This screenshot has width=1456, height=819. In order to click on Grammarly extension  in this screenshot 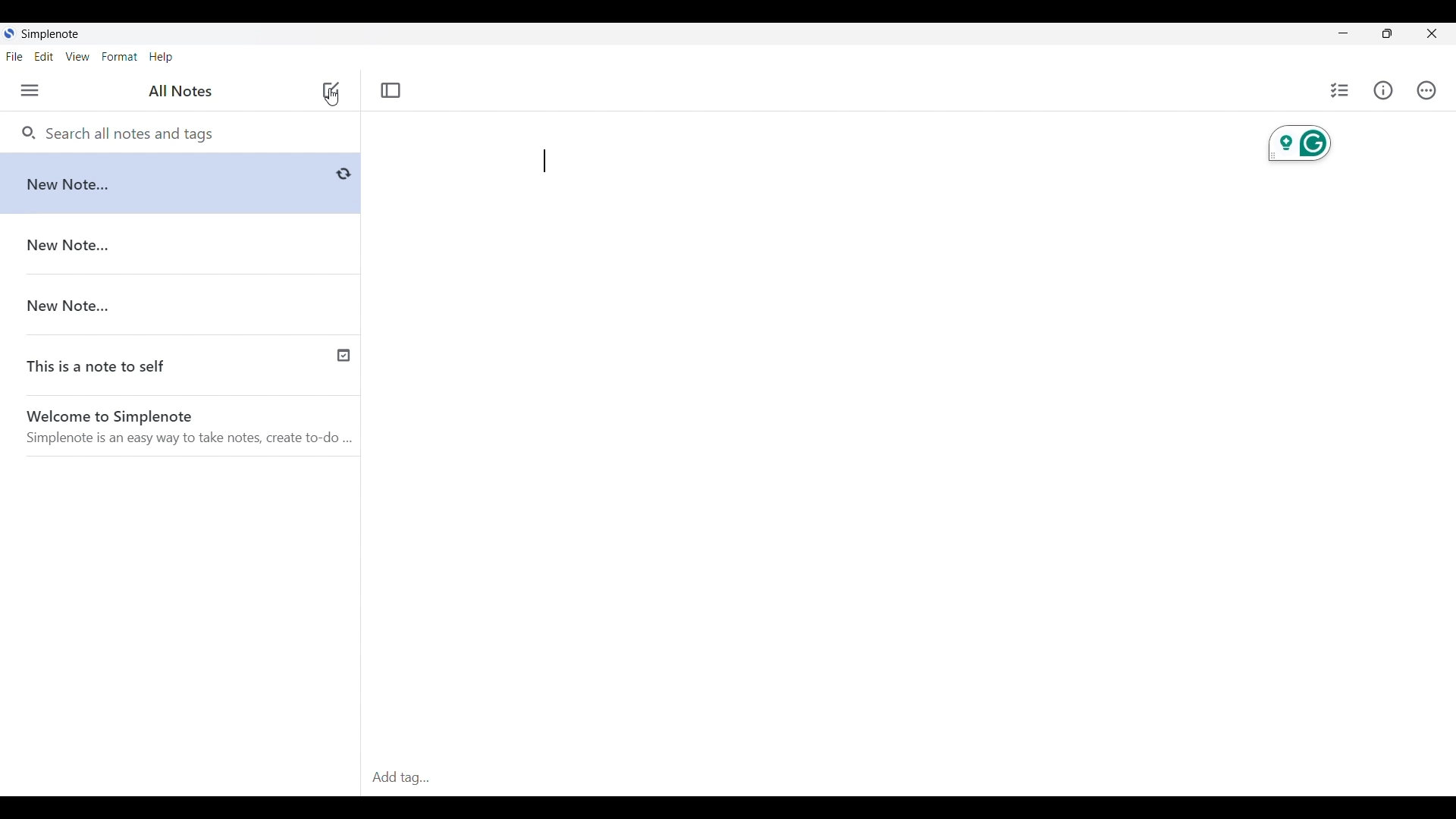, I will do `click(1300, 143)`.